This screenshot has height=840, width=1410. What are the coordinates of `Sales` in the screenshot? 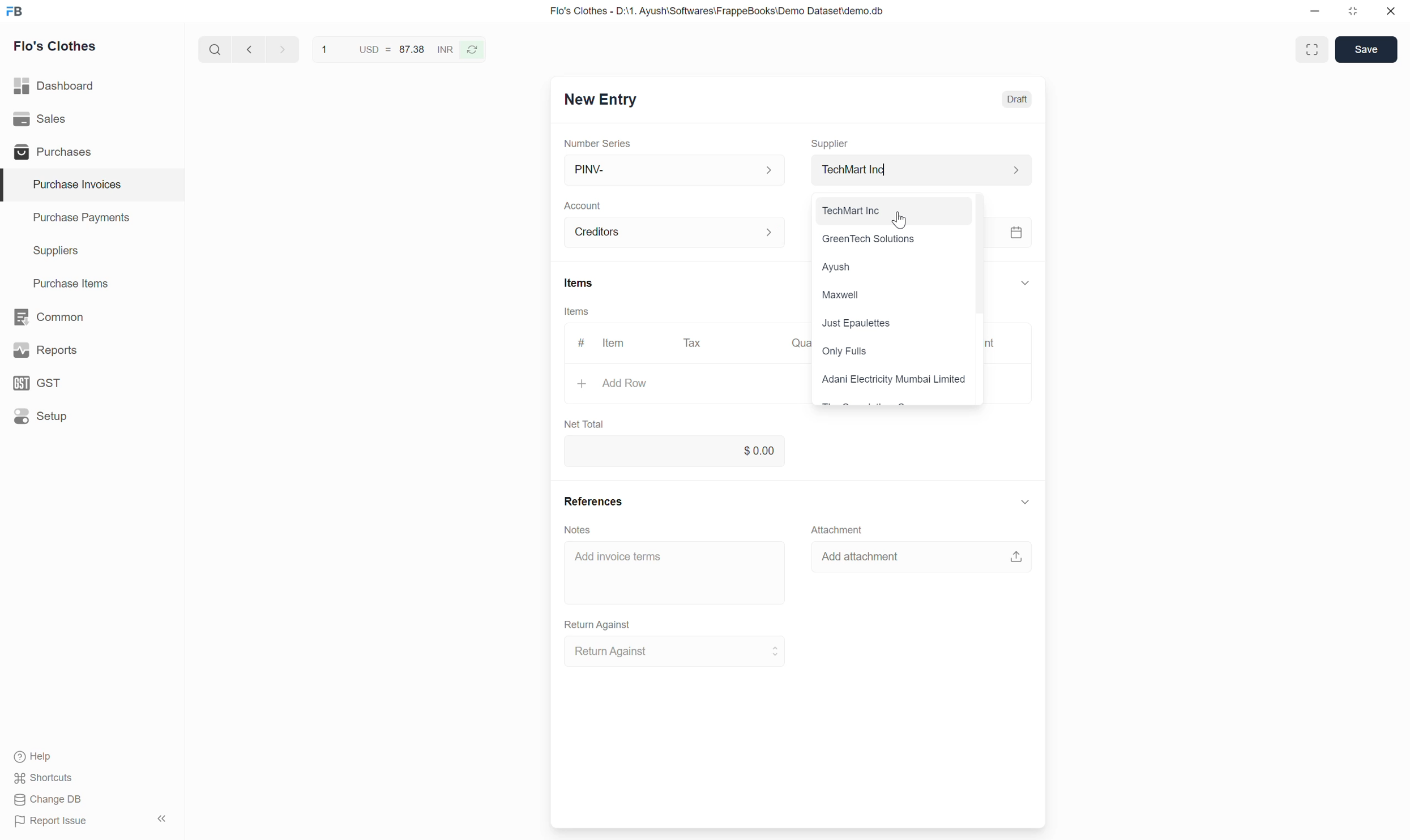 It's located at (42, 119).